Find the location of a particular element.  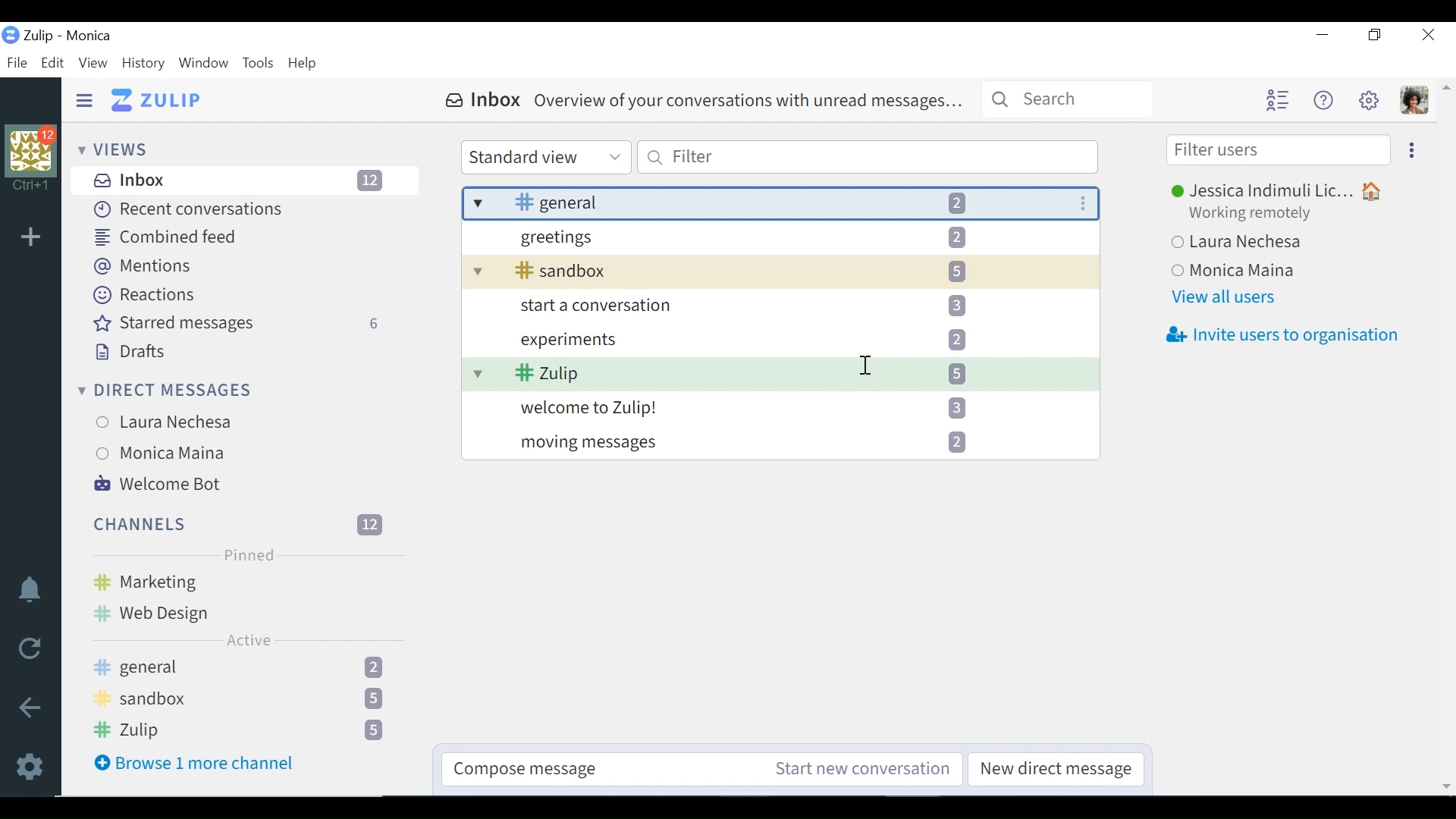

| v 3k general is located at coordinates (755, 204).